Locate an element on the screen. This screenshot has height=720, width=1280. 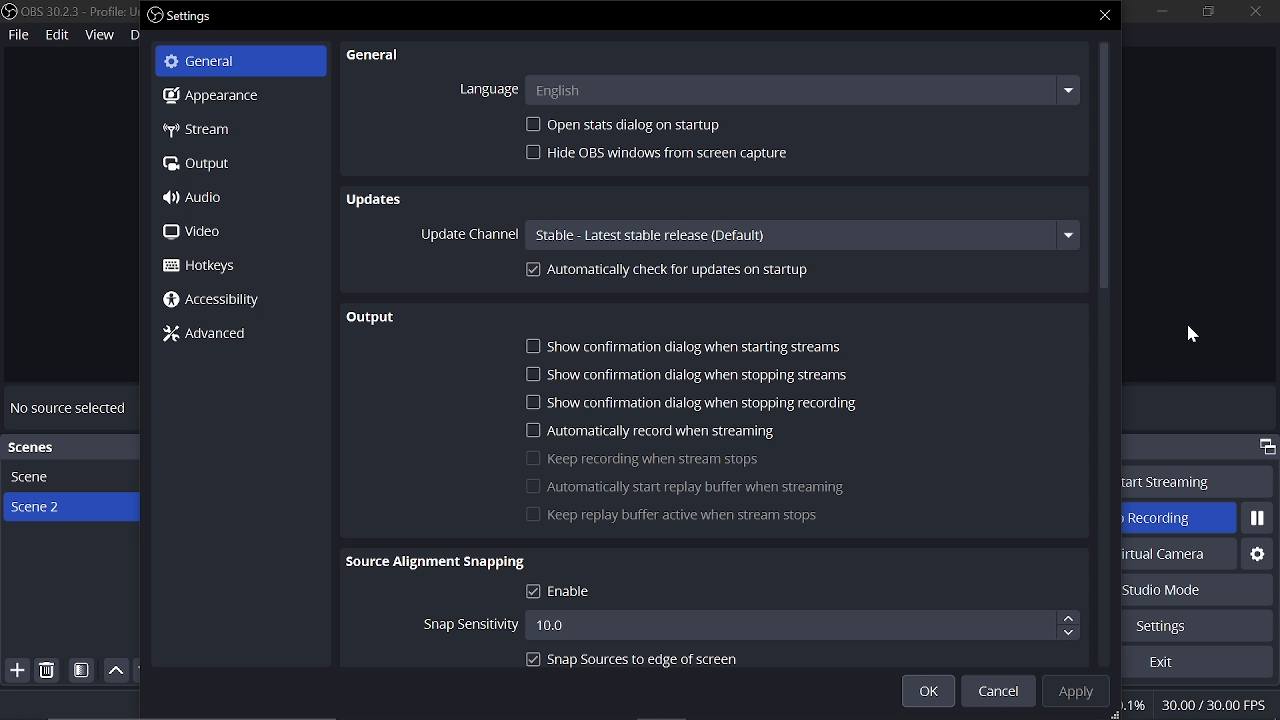
stream is located at coordinates (235, 132).